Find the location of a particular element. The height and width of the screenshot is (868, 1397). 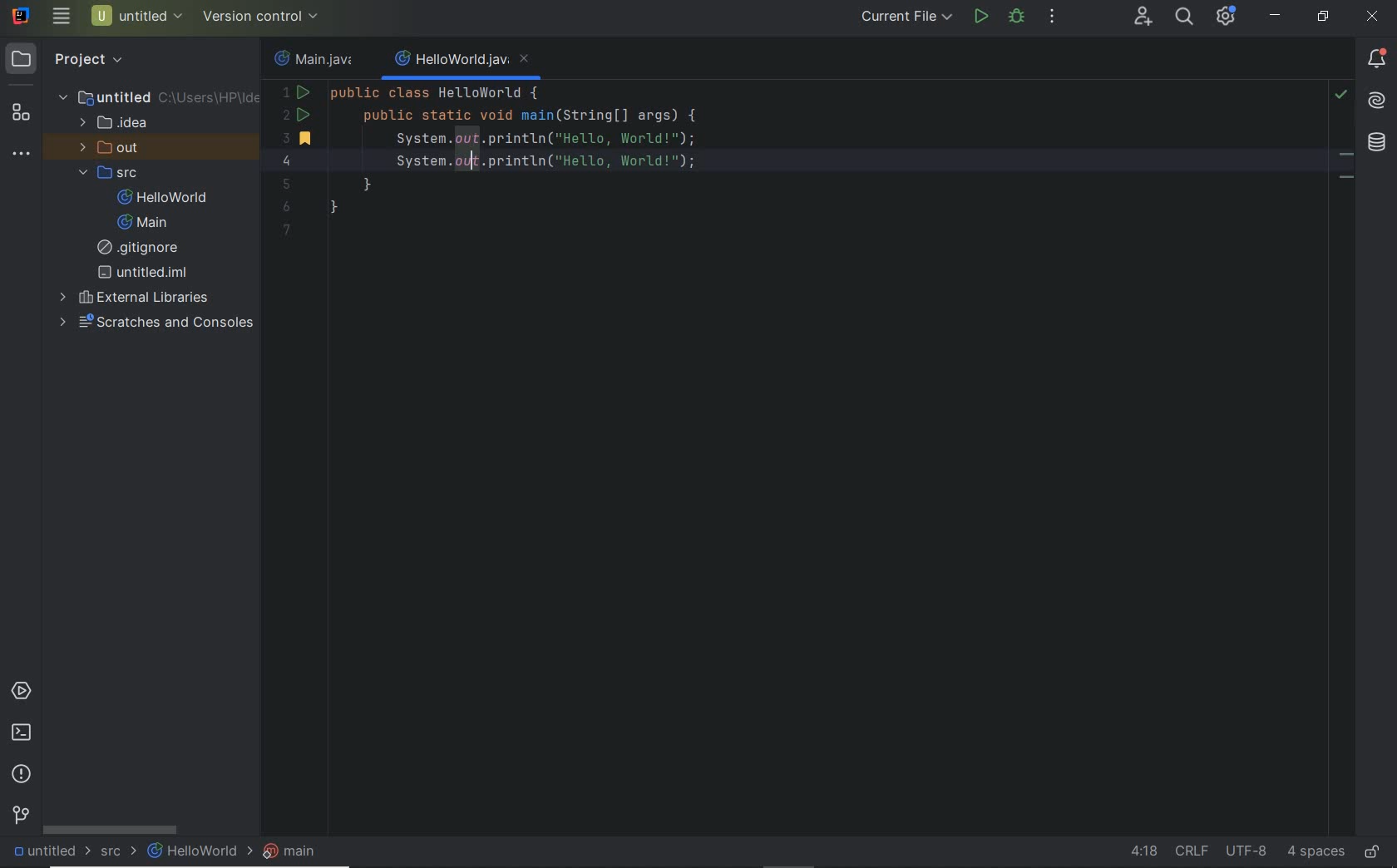

run is located at coordinates (981, 16).